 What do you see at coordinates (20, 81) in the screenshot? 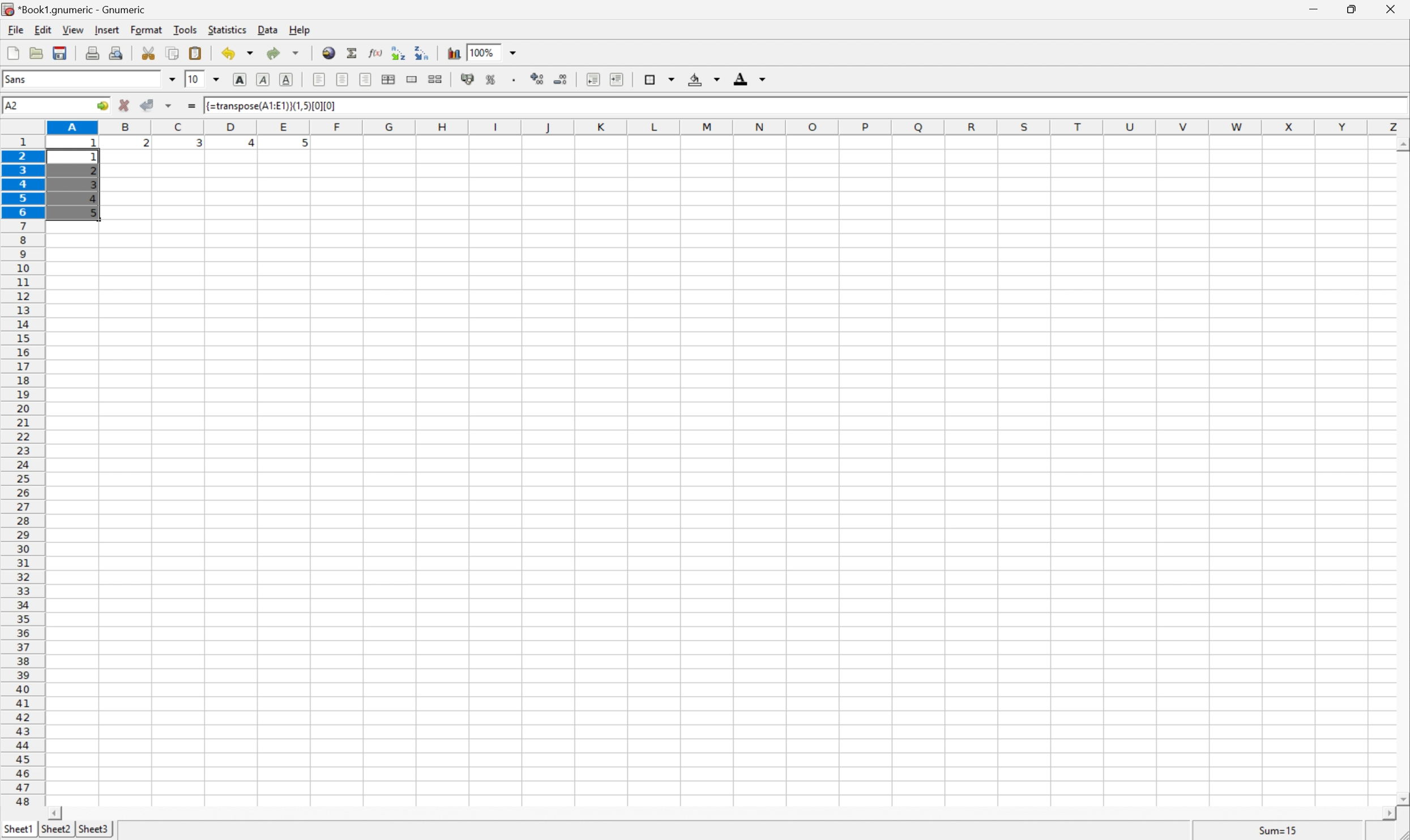
I see `font` at bounding box center [20, 81].